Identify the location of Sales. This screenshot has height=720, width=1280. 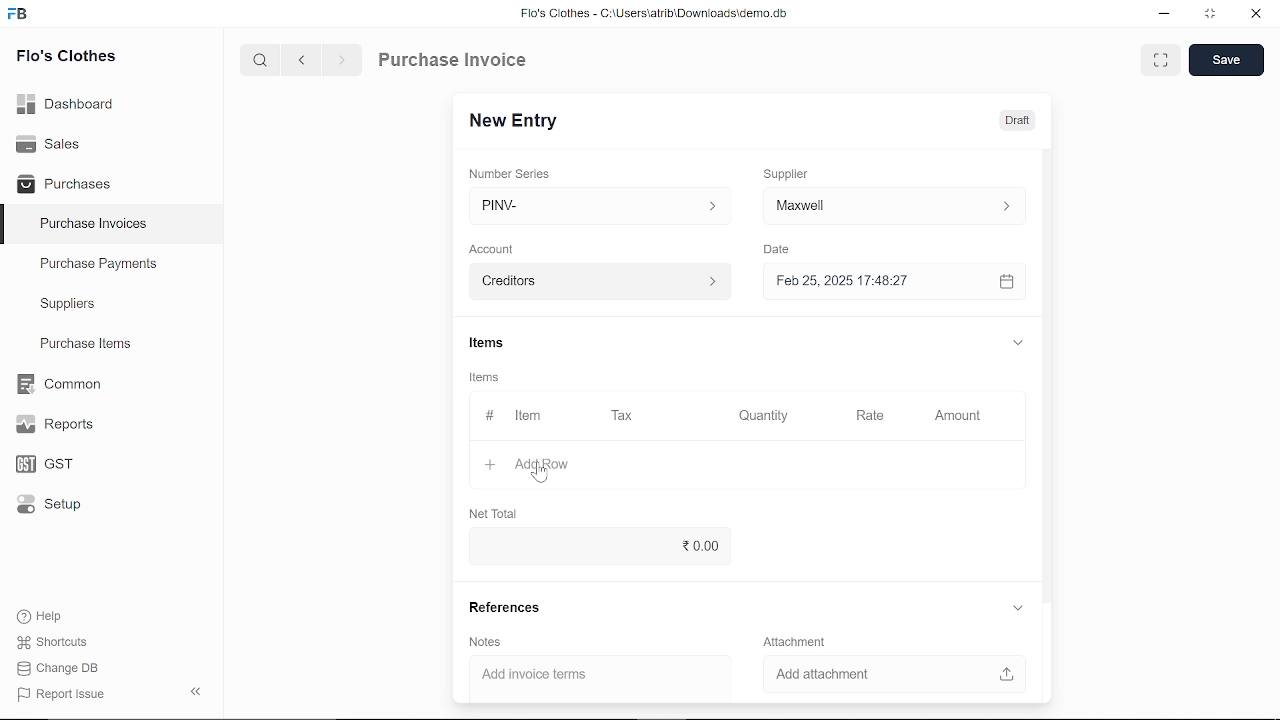
(48, 142).